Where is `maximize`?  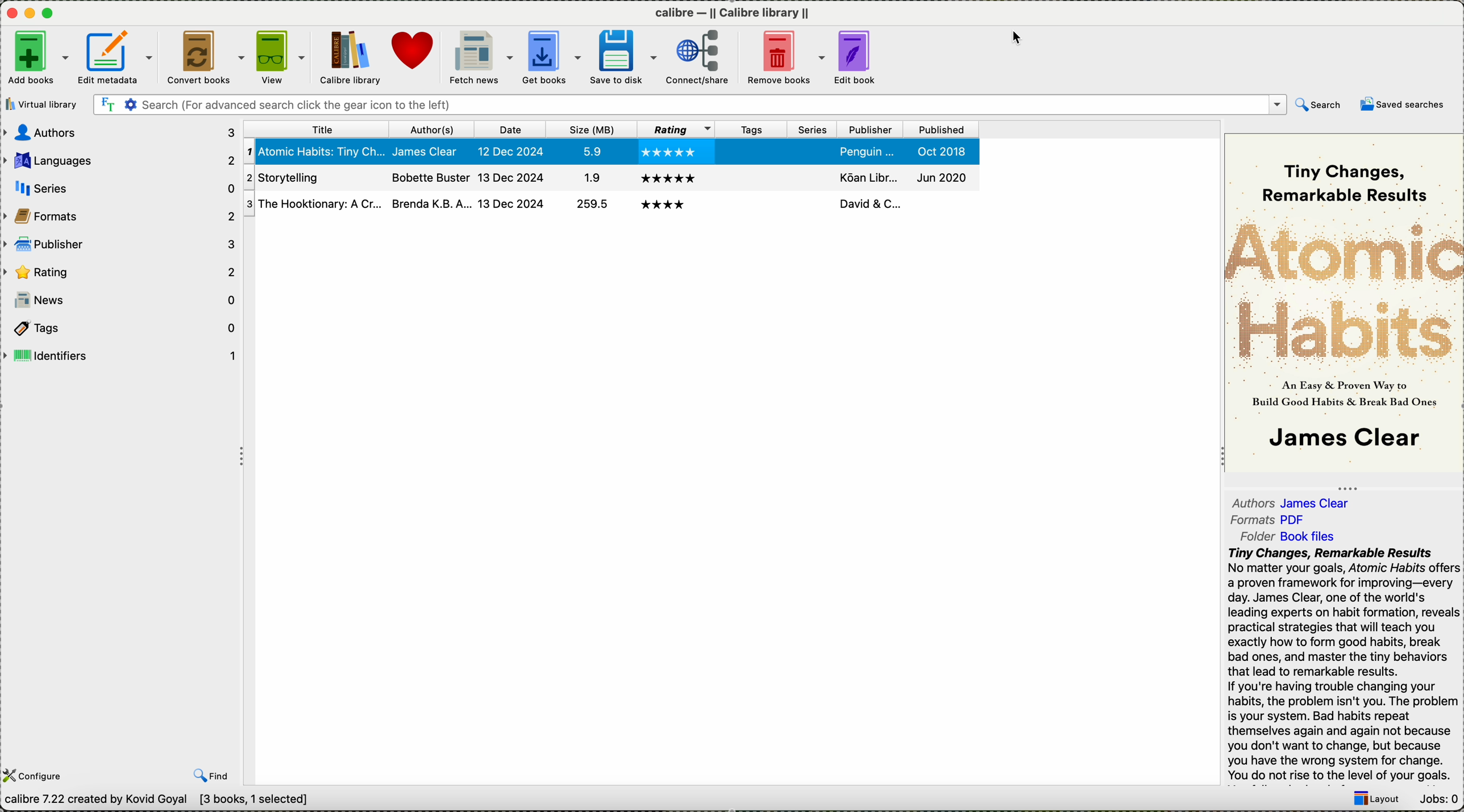 maximize is located at coordinates (50, 14).